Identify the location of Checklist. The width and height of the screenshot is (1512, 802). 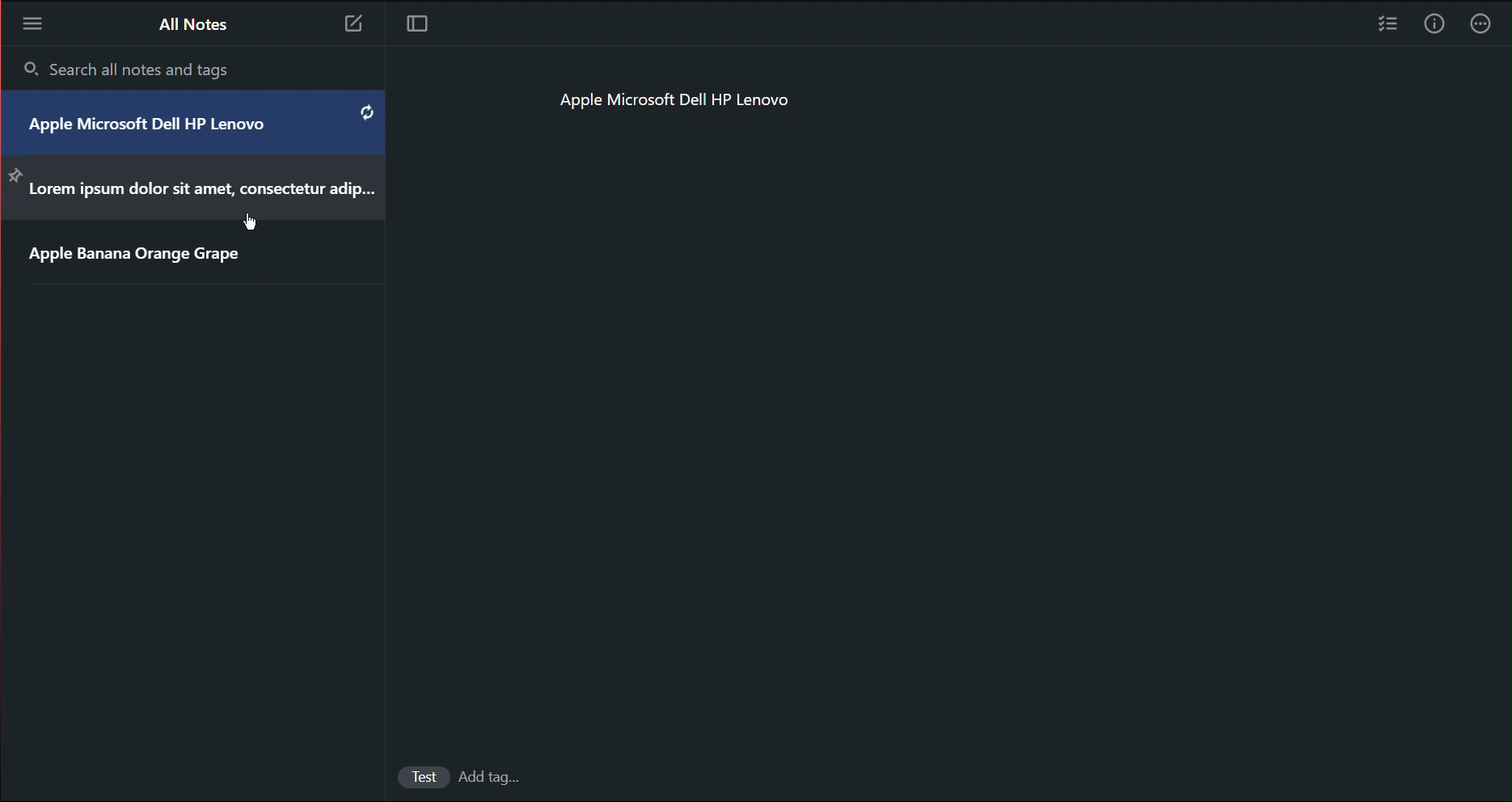
(1386, 27).